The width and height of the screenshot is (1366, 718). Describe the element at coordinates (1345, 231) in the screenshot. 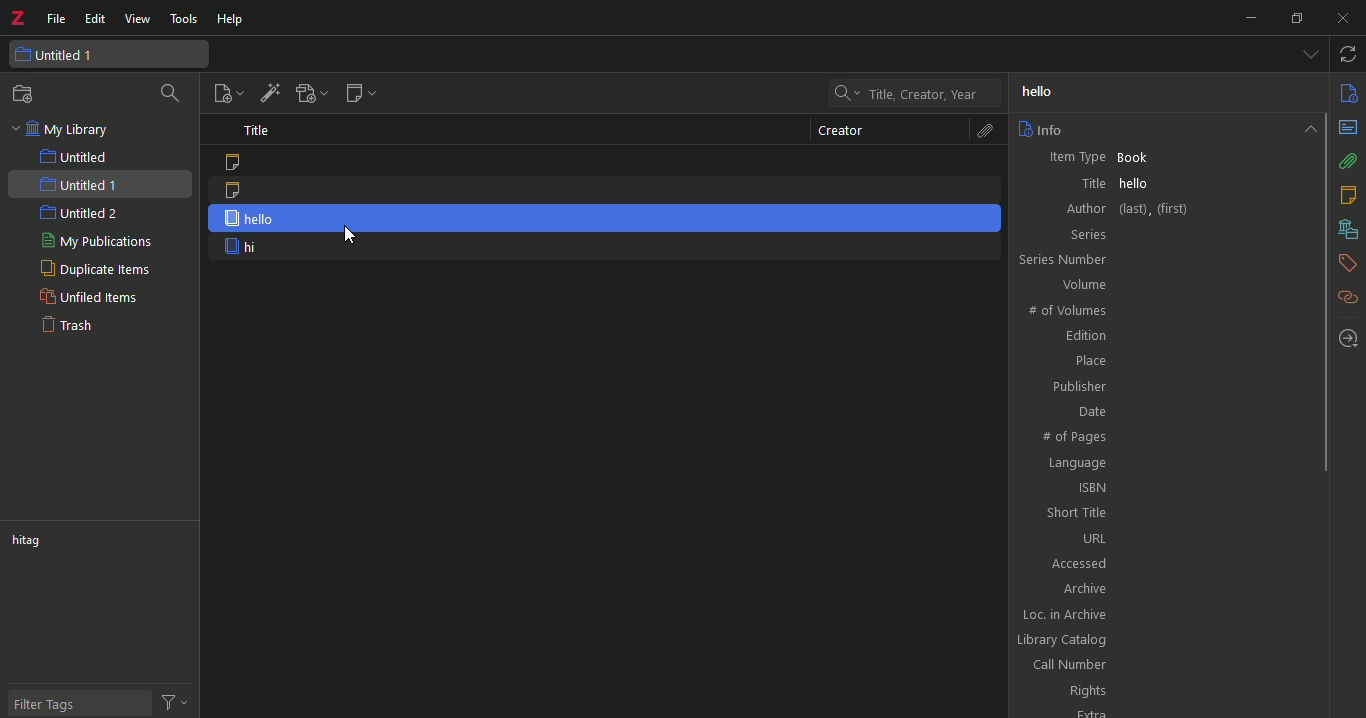

I see `libraries and collections` at that location.